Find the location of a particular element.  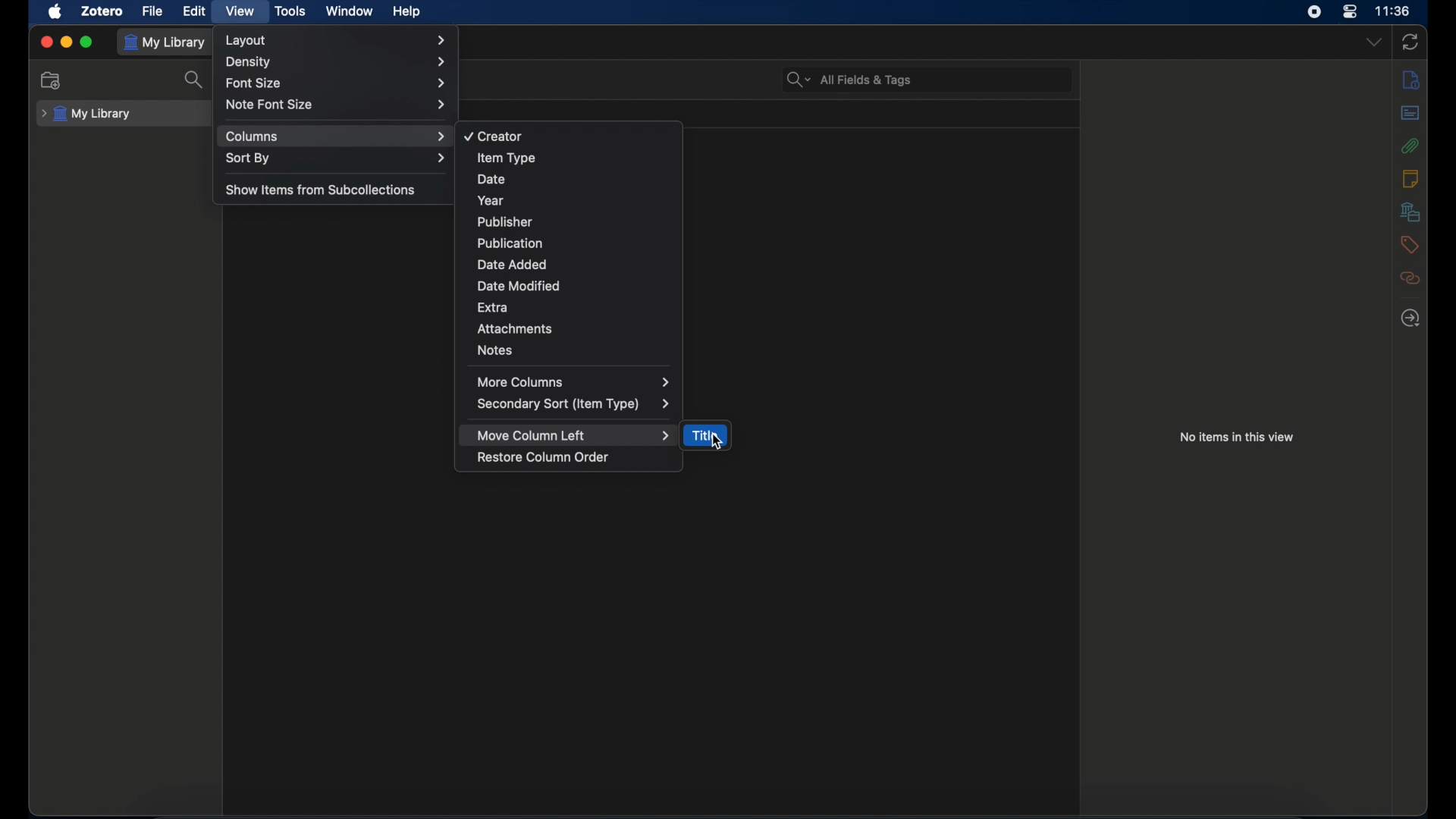

search is located at coordinates (194, 81).